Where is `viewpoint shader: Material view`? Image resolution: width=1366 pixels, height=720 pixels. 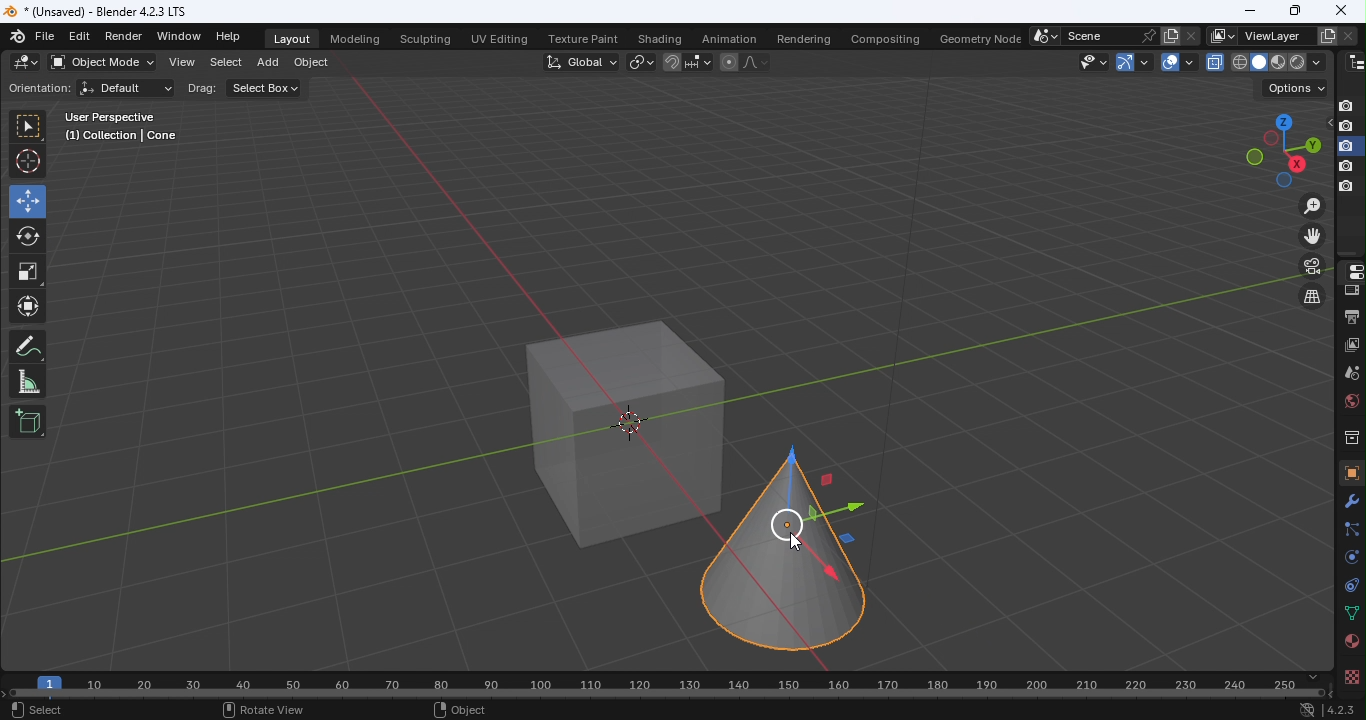
viewpoint shader: Material view is located at coordinates (1277, 61).